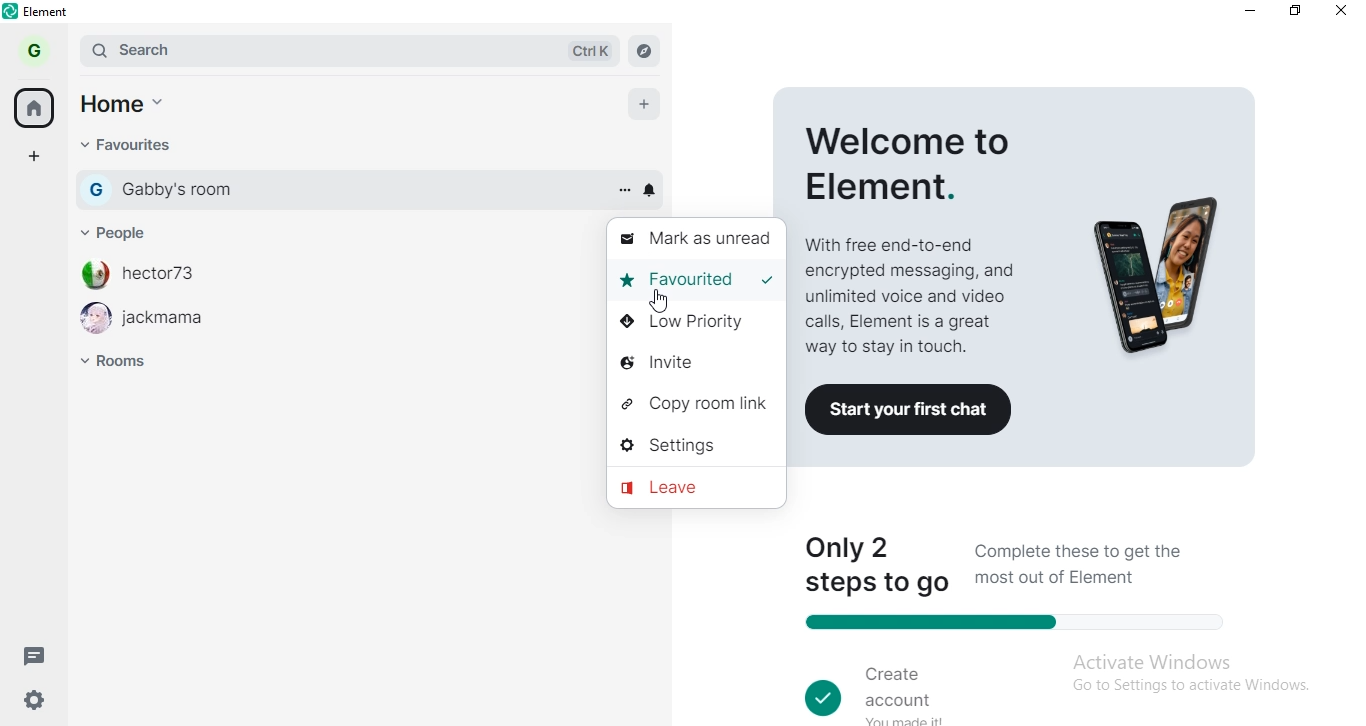 The image size is (1366, 726). Describe the element at coordinates (767, 281) in the screenshot. I see `checkmark` at that location.